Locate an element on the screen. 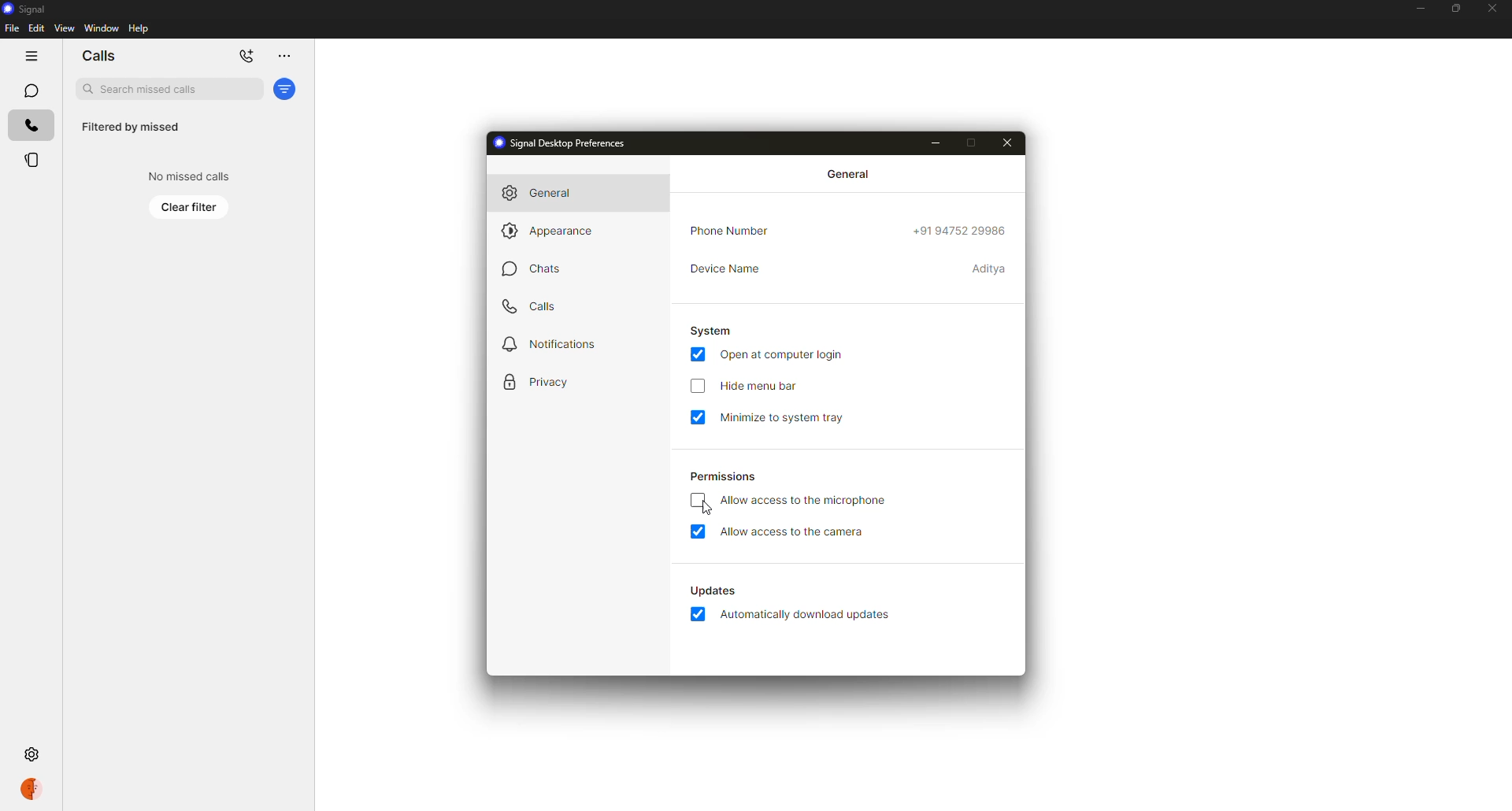 The height and width of the screenshot is (811, 1512). permissions is located at coordinates (725, 477).